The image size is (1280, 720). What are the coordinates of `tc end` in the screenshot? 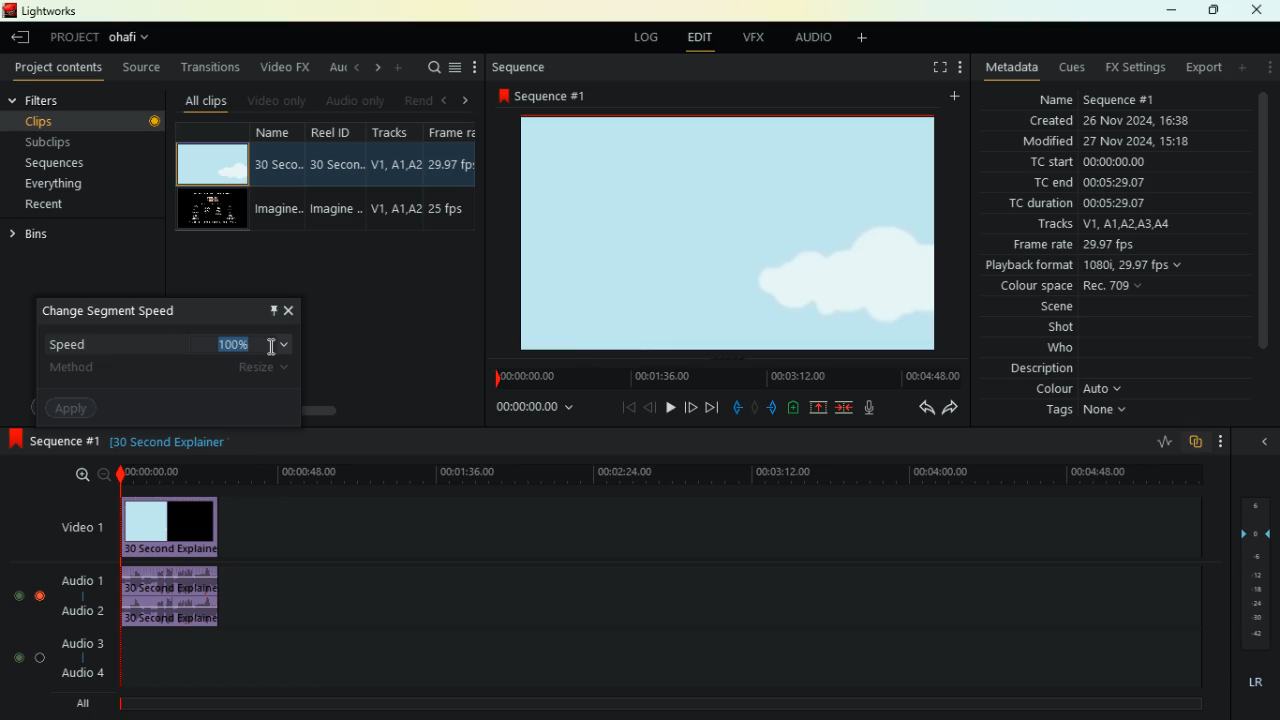 It's located at (1093, 184).